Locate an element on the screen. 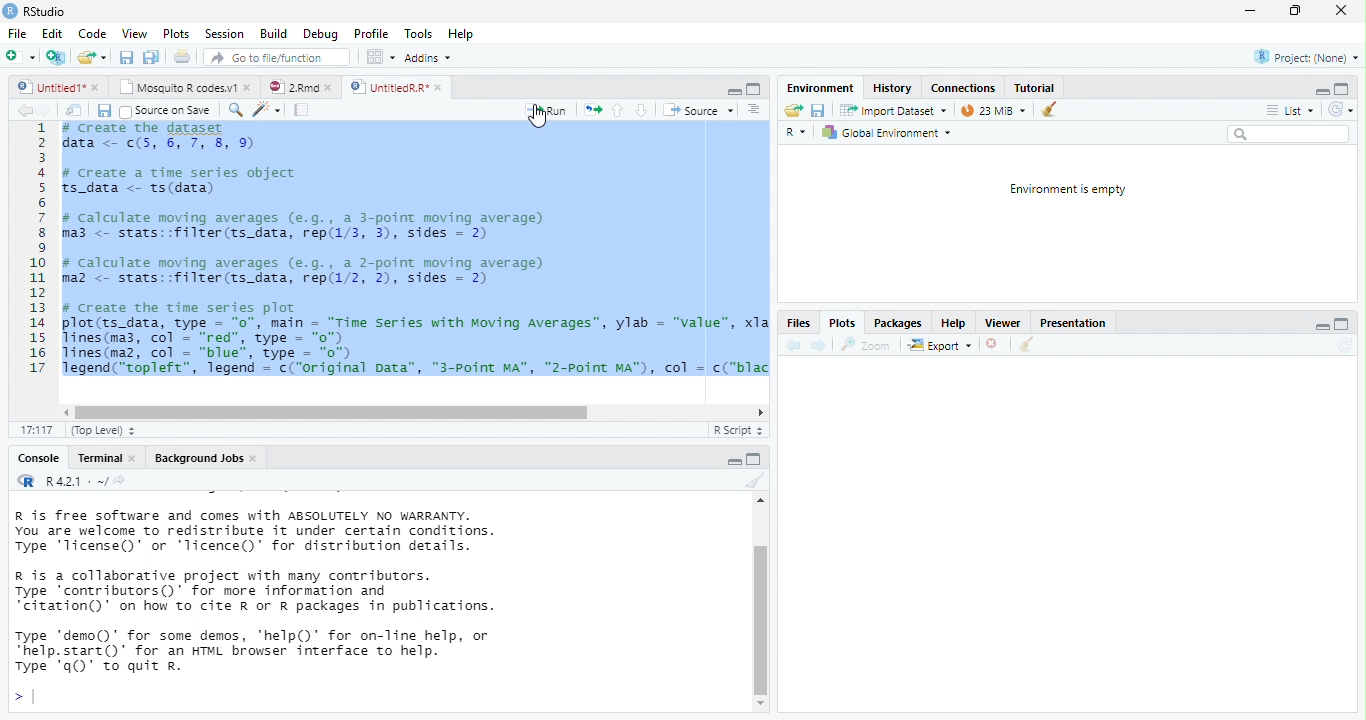  untitled 1 is located at coordinates (46, 86).